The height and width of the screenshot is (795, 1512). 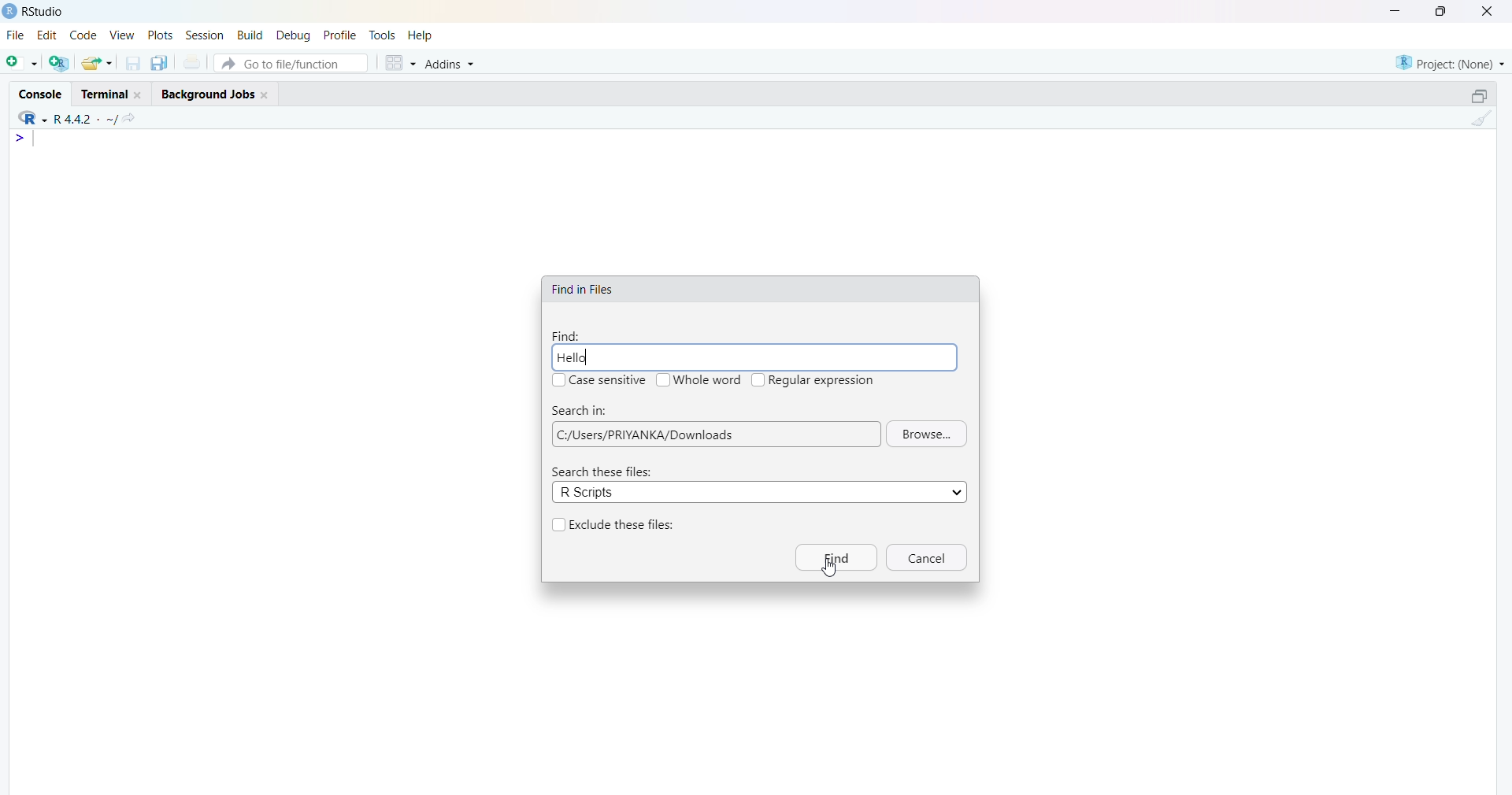 I want to click on open file, so click(x=24, y=62).